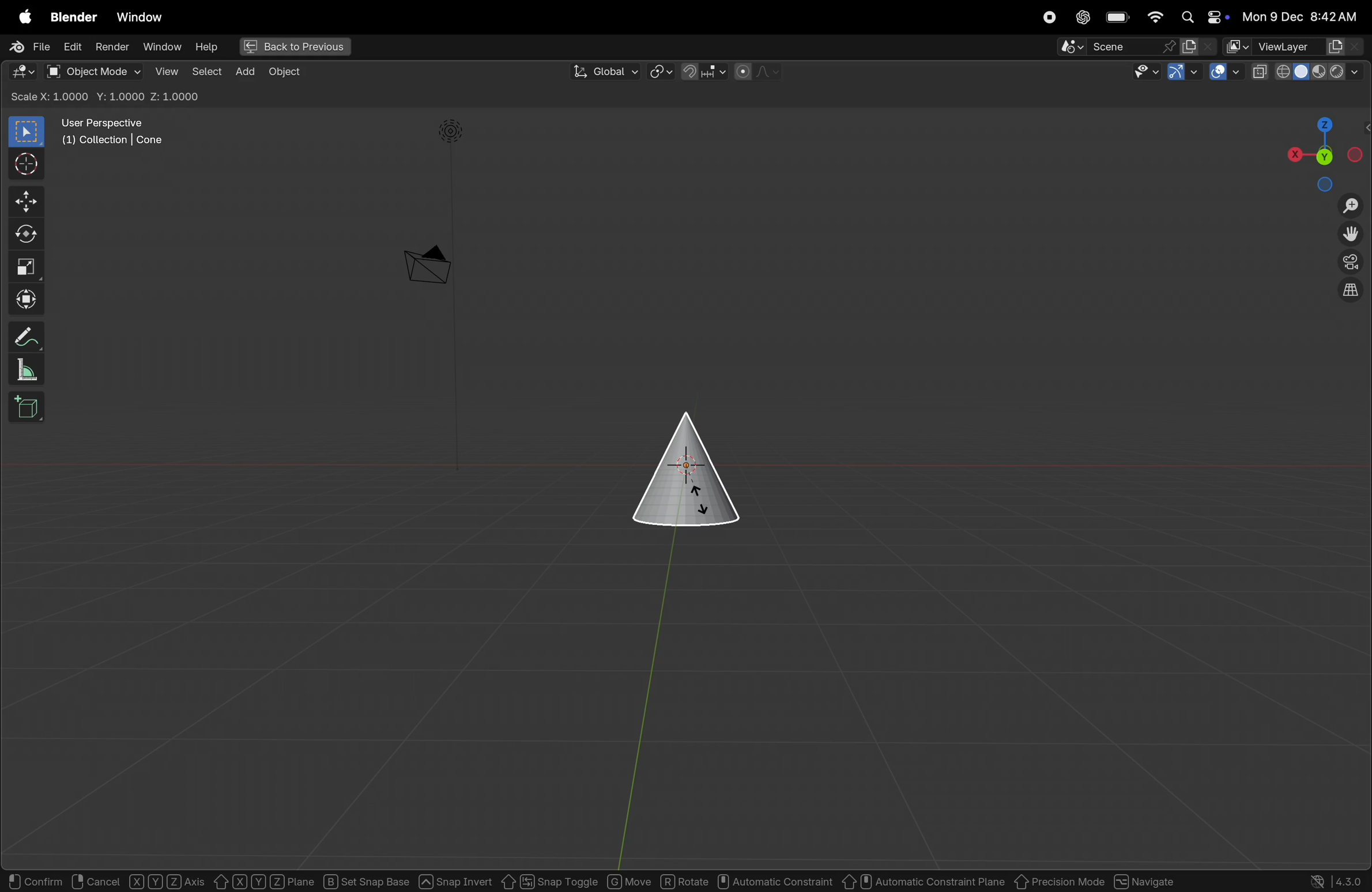 The height and width of the screenshot is (892, 1372). What do you see at coordinates (24, 407) in the screenshot?
I see `add cube` at bounding box center [24, 407].